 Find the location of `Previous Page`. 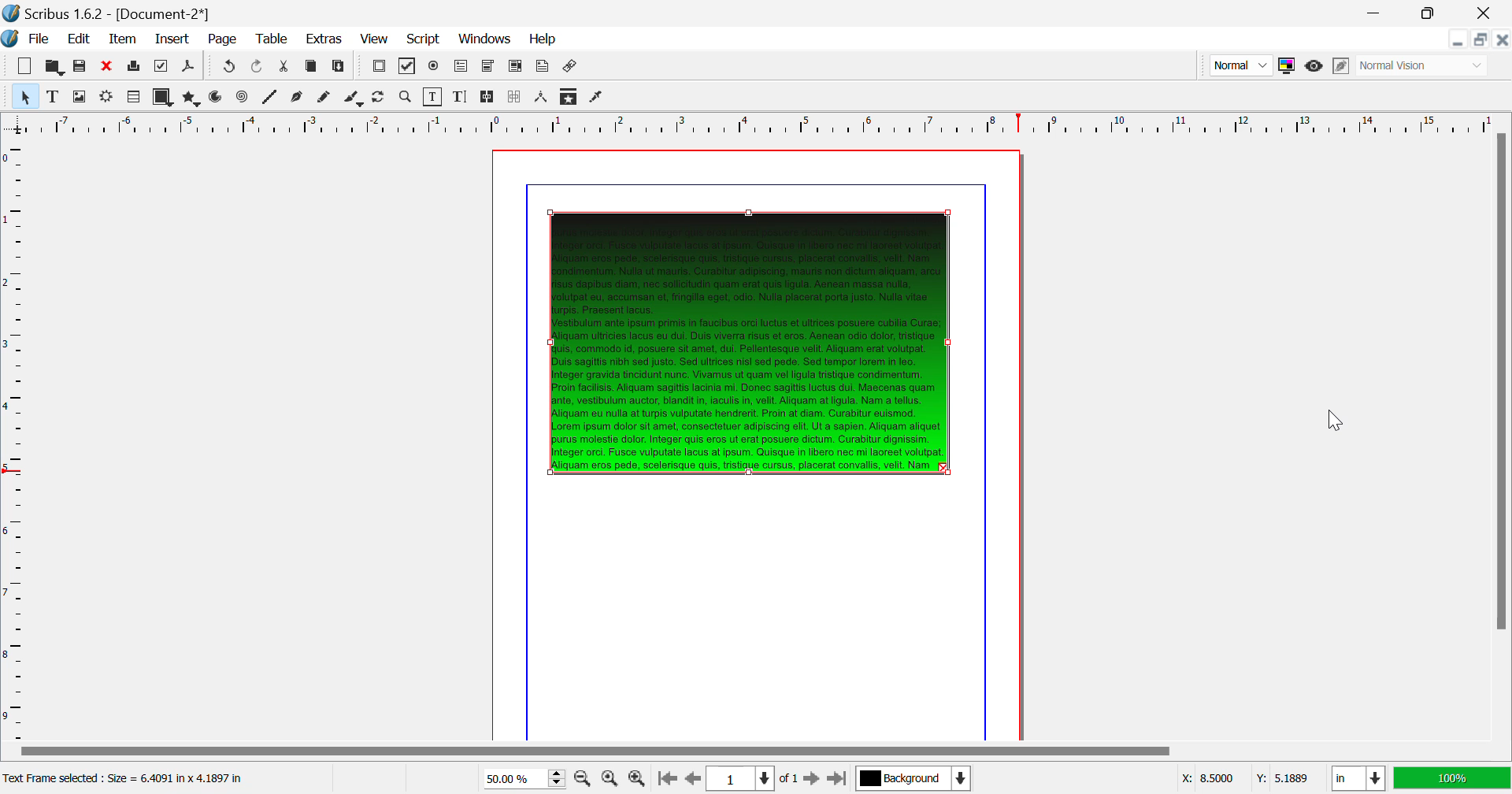

Previous Page is located at coordinates (691, 779).